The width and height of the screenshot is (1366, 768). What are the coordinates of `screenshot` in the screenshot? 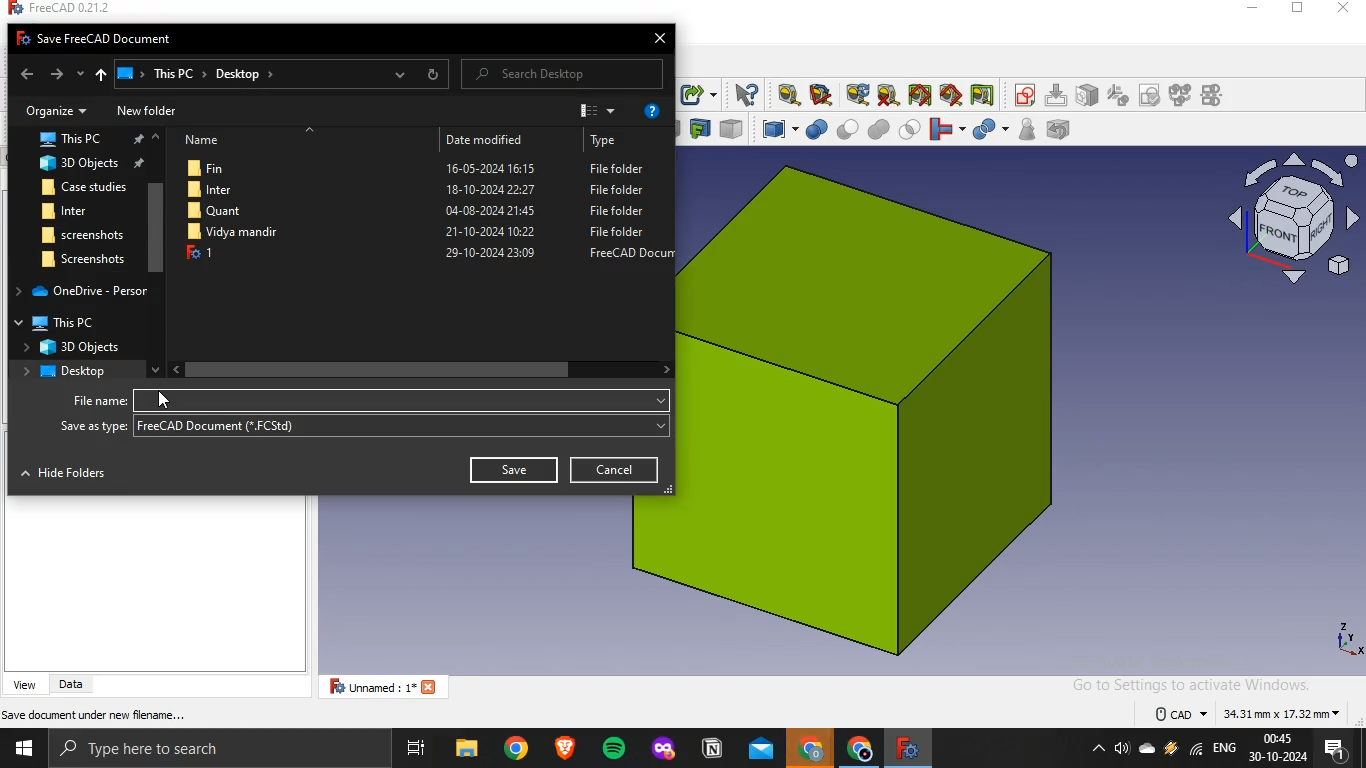 It's located at (76, 259).